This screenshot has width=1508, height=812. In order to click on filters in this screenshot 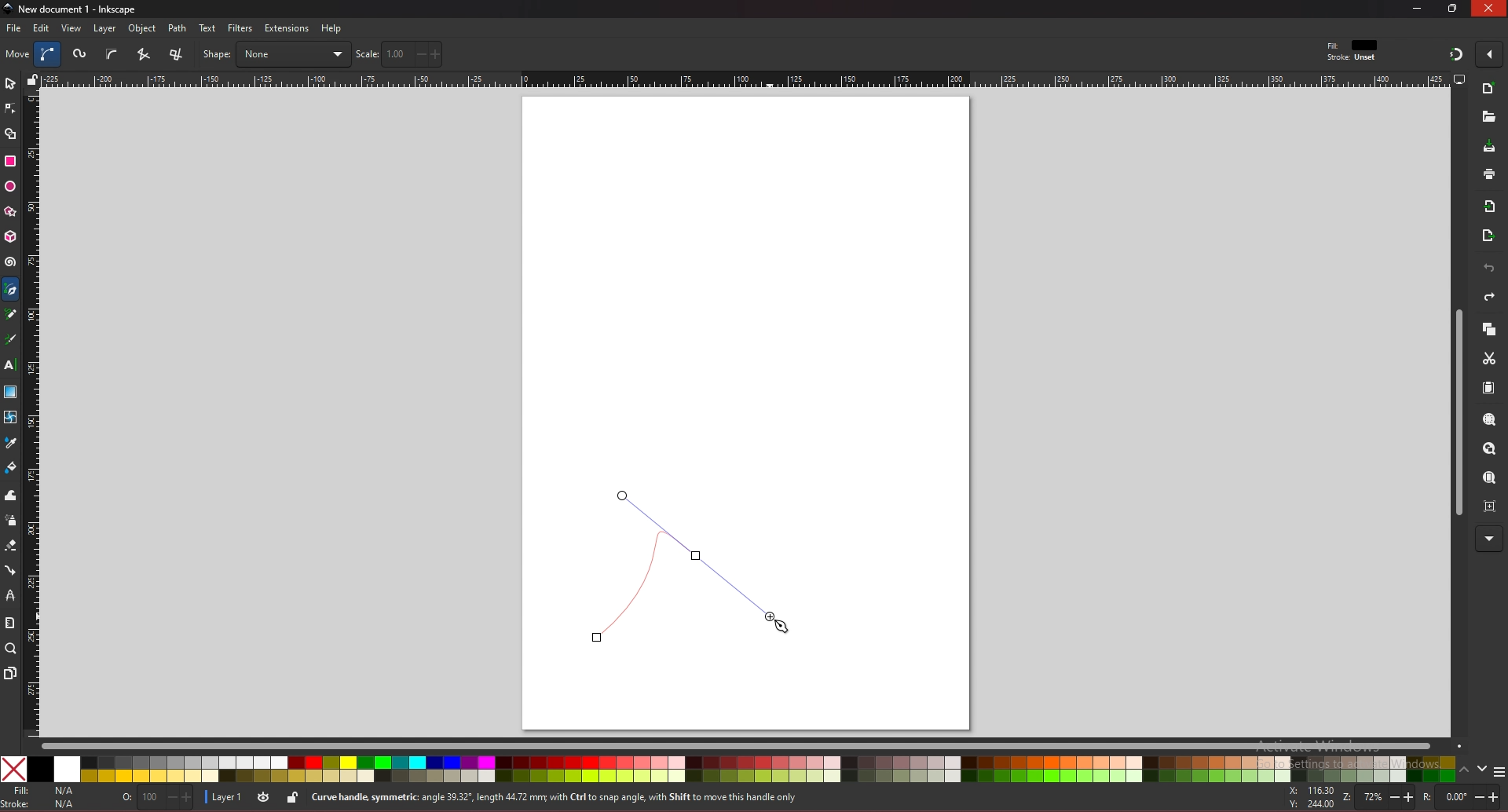, I will do `click(241, 28)`.